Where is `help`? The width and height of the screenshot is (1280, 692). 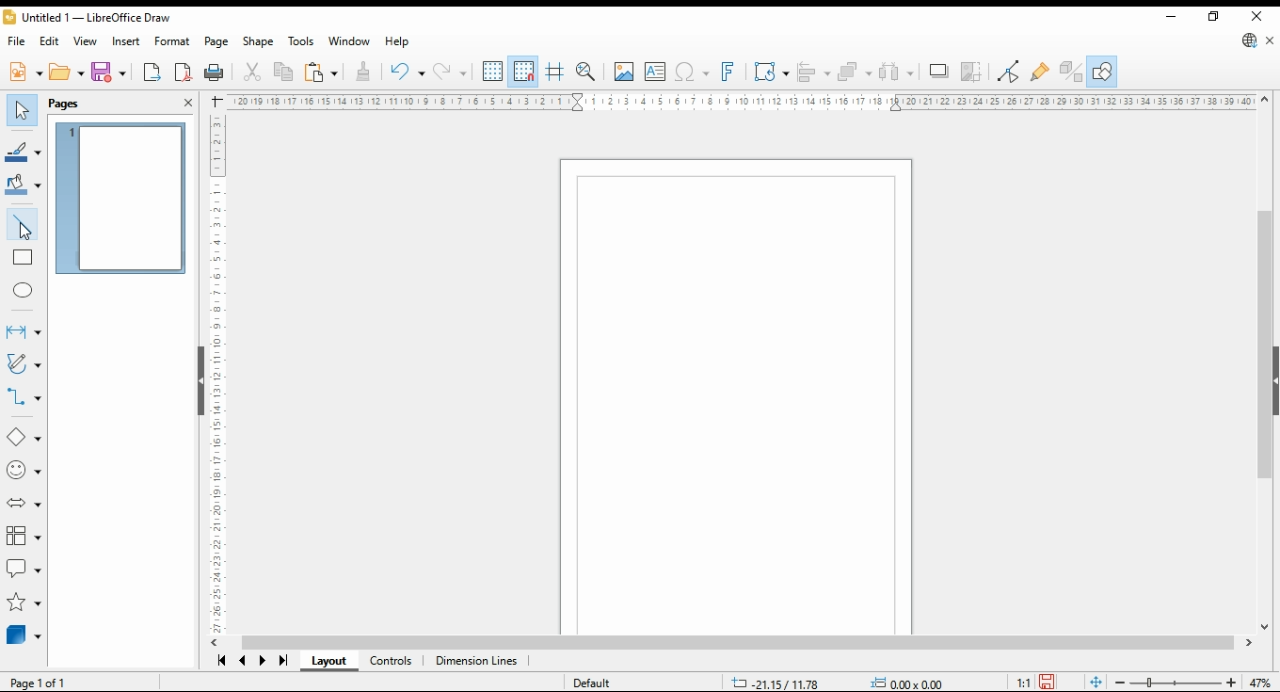
help is located at coordinates (398, 42).